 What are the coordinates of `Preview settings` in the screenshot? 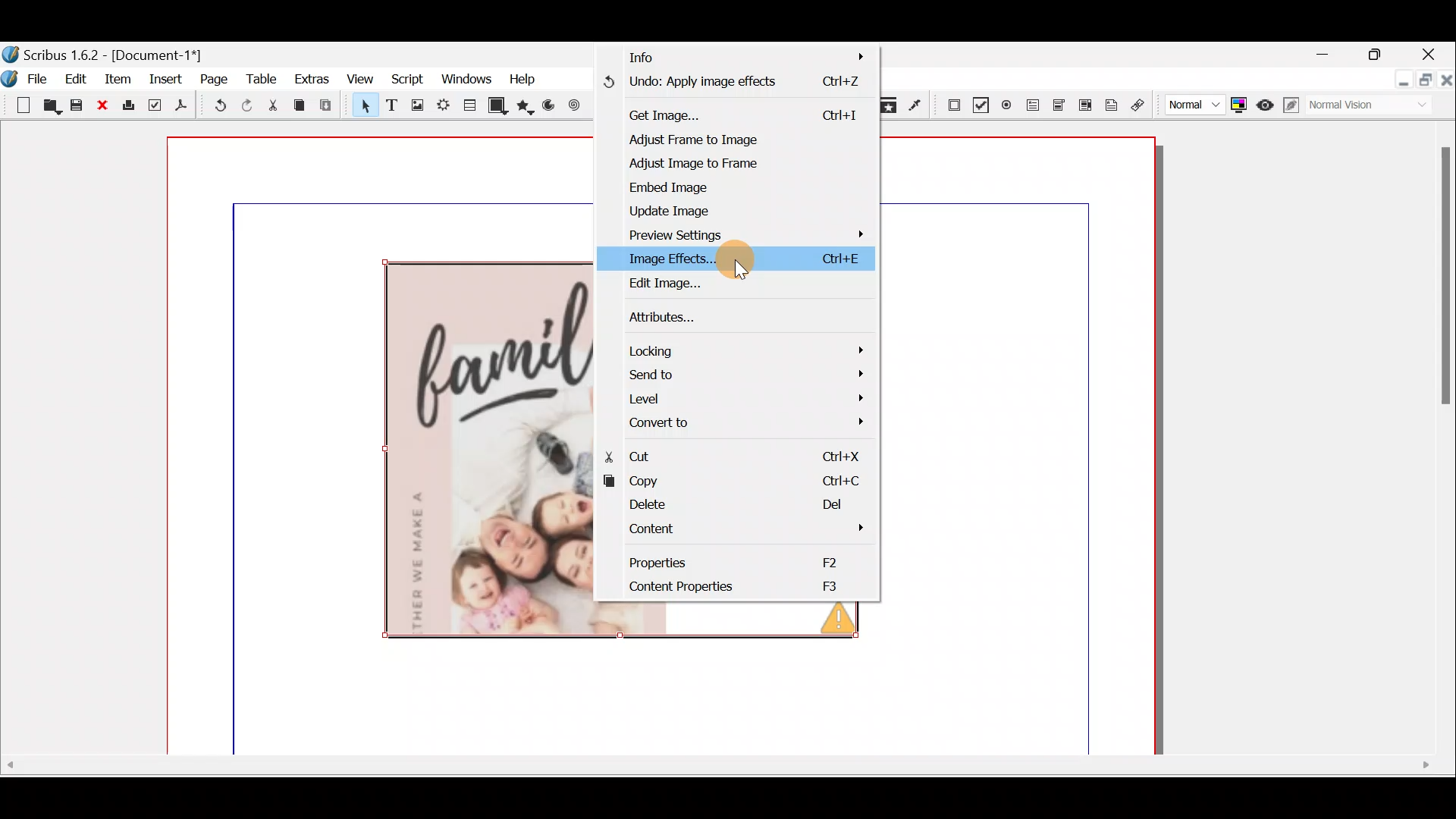 It's located at (687, 234).